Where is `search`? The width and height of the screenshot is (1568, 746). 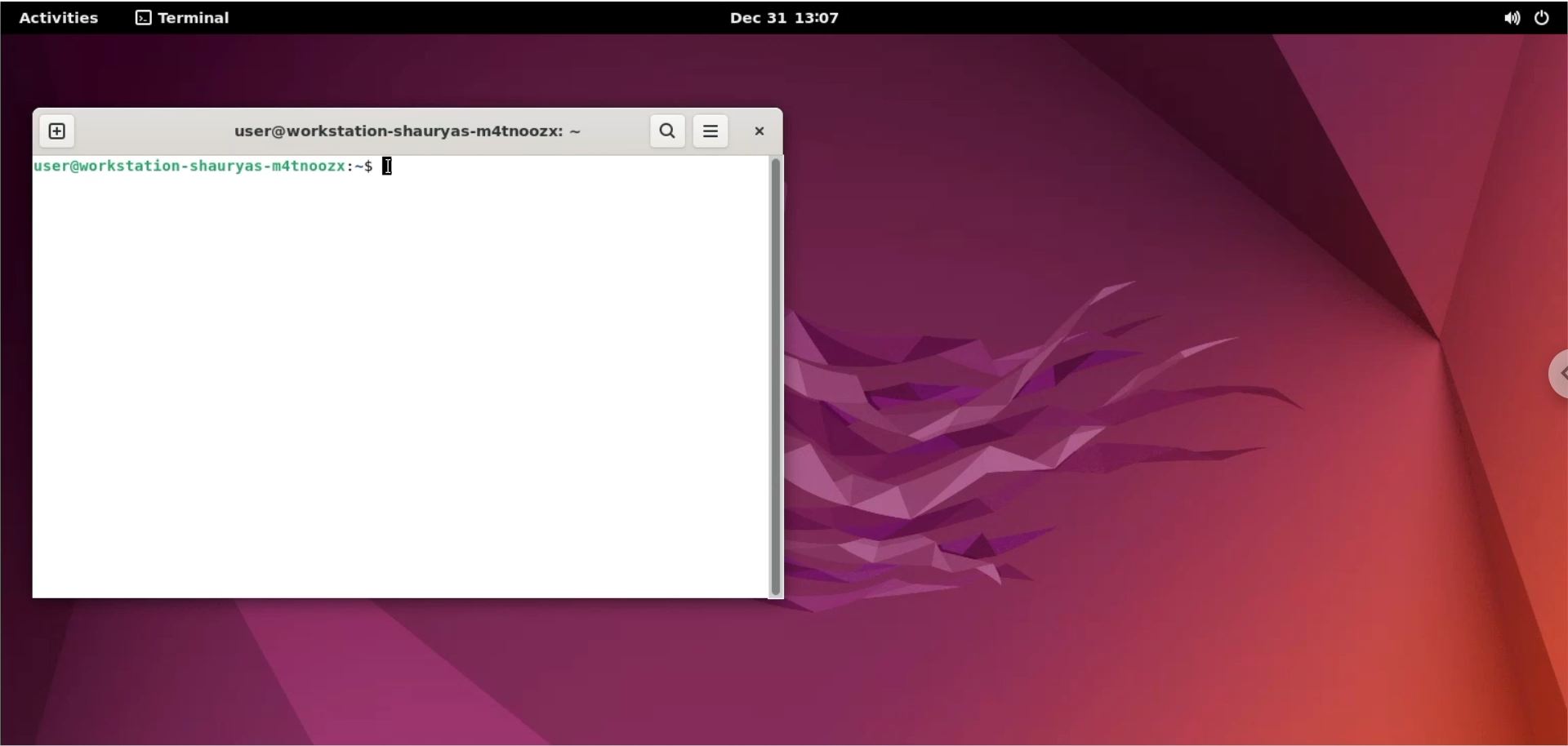
search is located at coordinates (669, 131).